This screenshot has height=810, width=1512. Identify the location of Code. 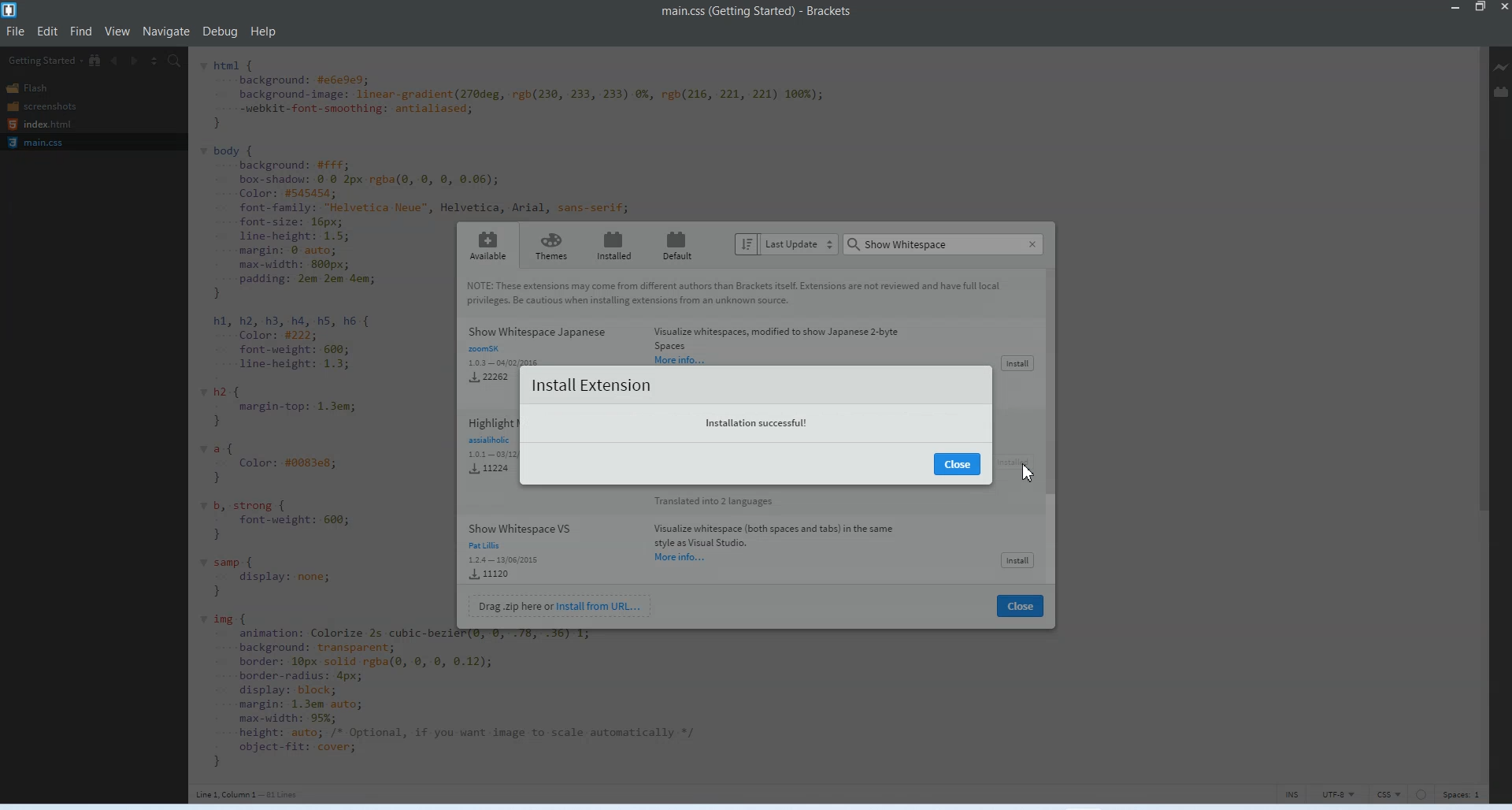
(309, 421).